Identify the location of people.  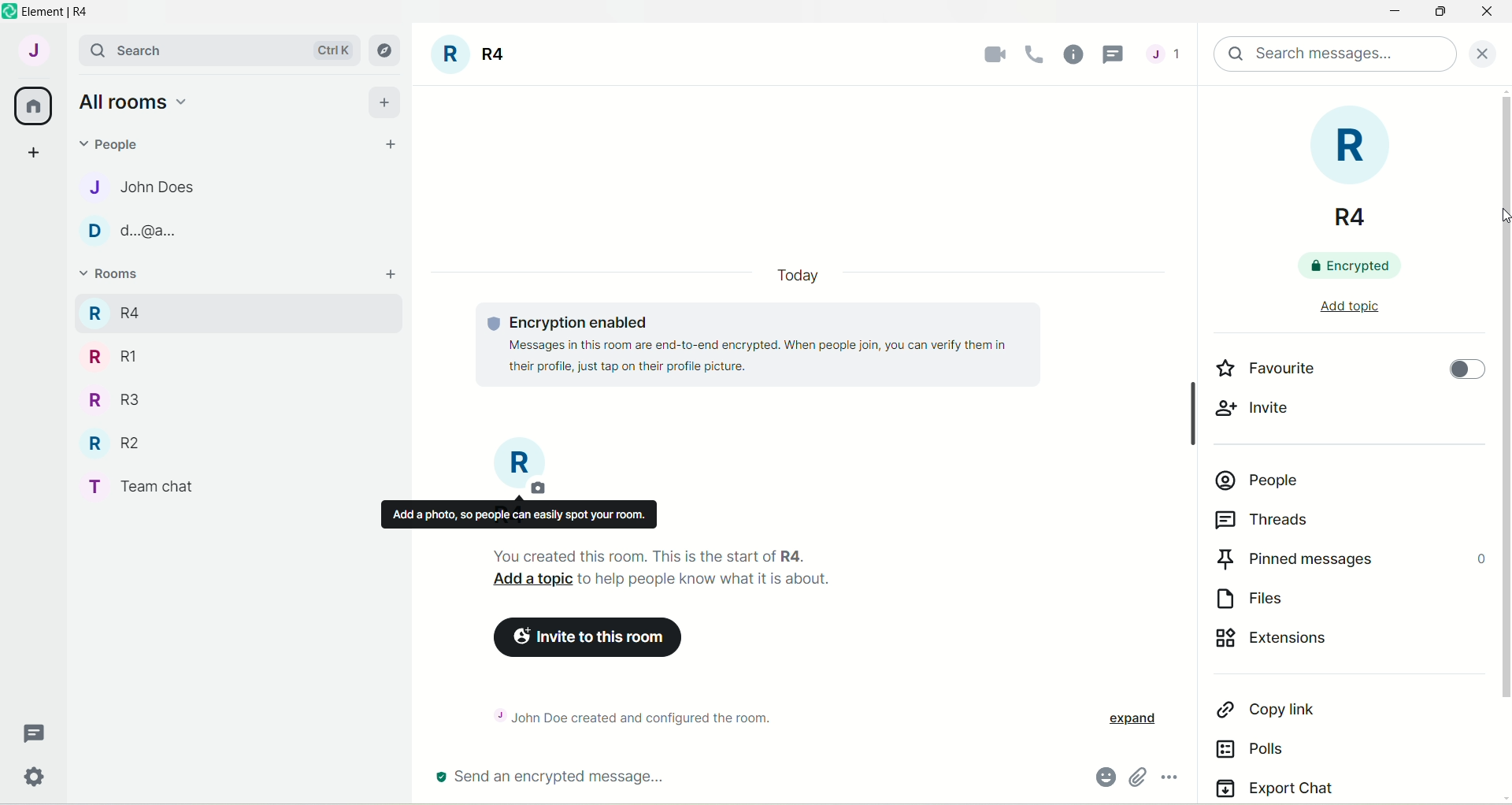
(1258, 480).